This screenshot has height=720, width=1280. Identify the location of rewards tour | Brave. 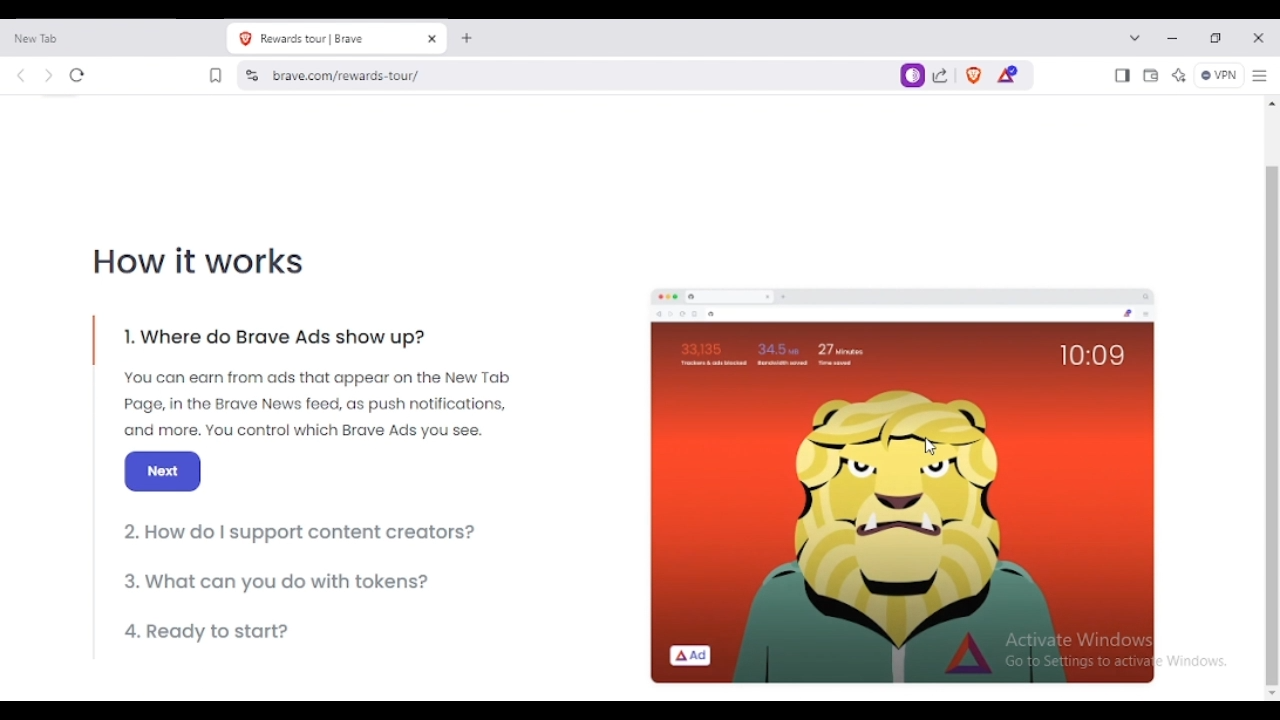
(322, 39).